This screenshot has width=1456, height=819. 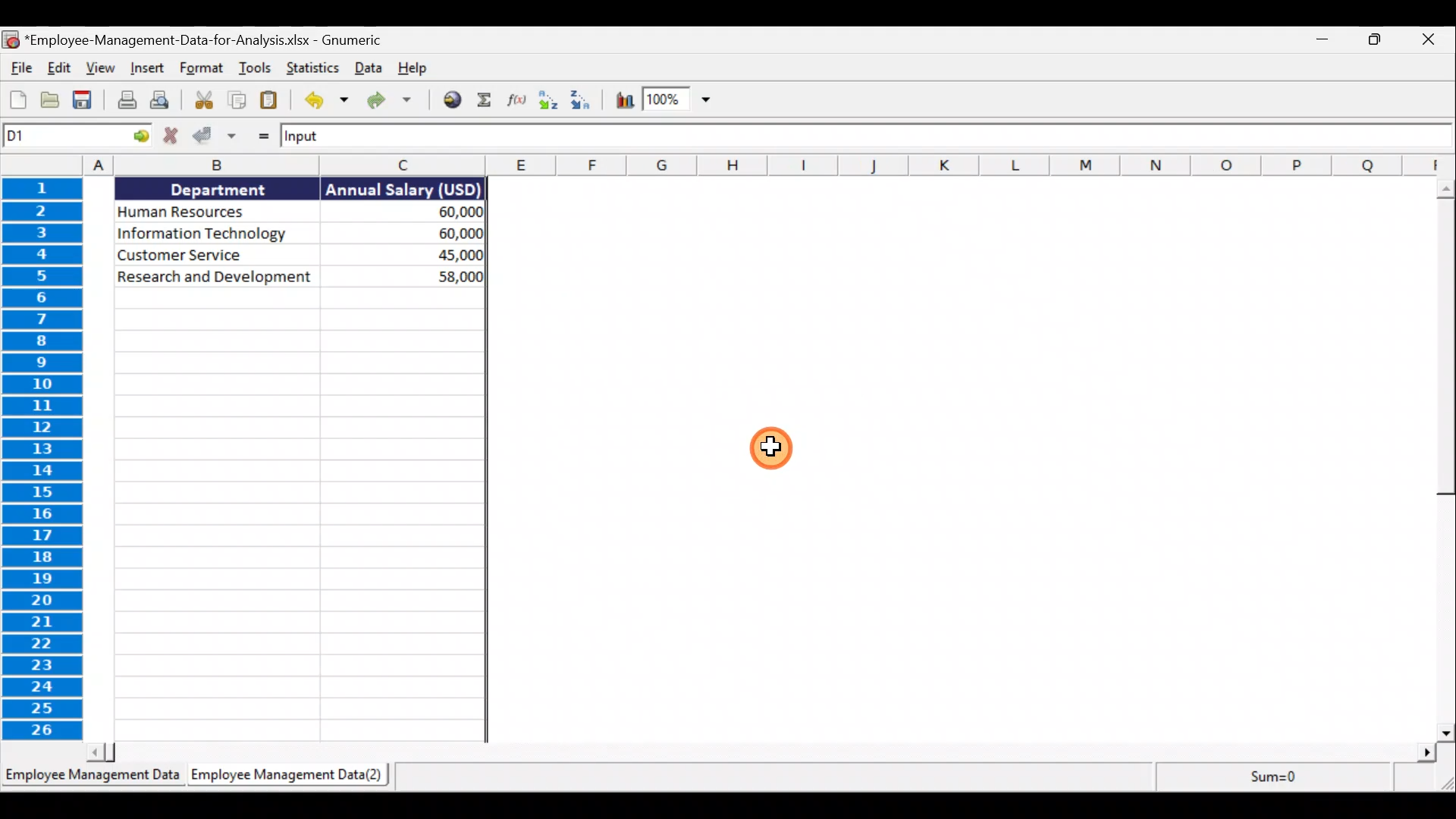 What do you see at coordinates (39, 458) in the screenshot?
I see `rows` at bounding box center [39, 458].